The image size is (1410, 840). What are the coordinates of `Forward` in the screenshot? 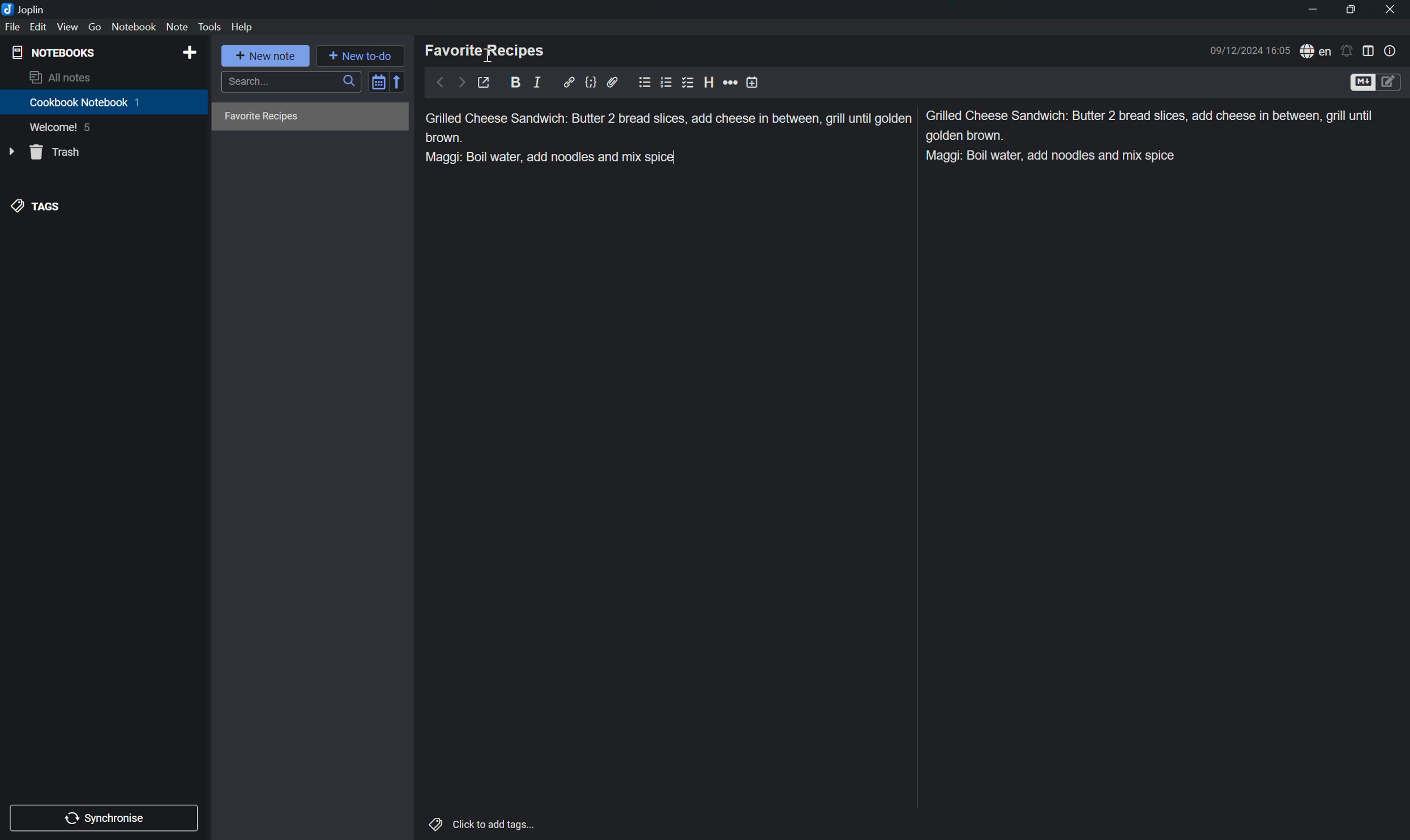 It's located at (461, 82).